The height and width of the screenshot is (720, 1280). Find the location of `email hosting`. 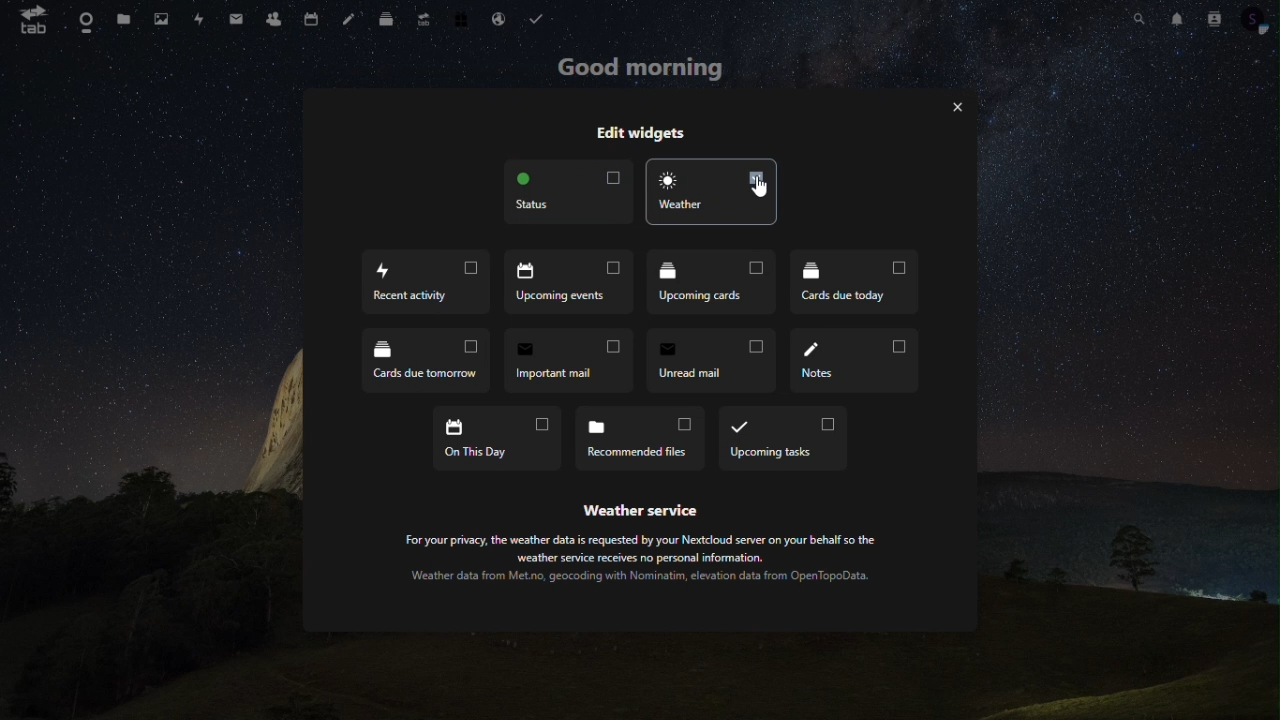

email hosting is located at coordinates (501, 18).